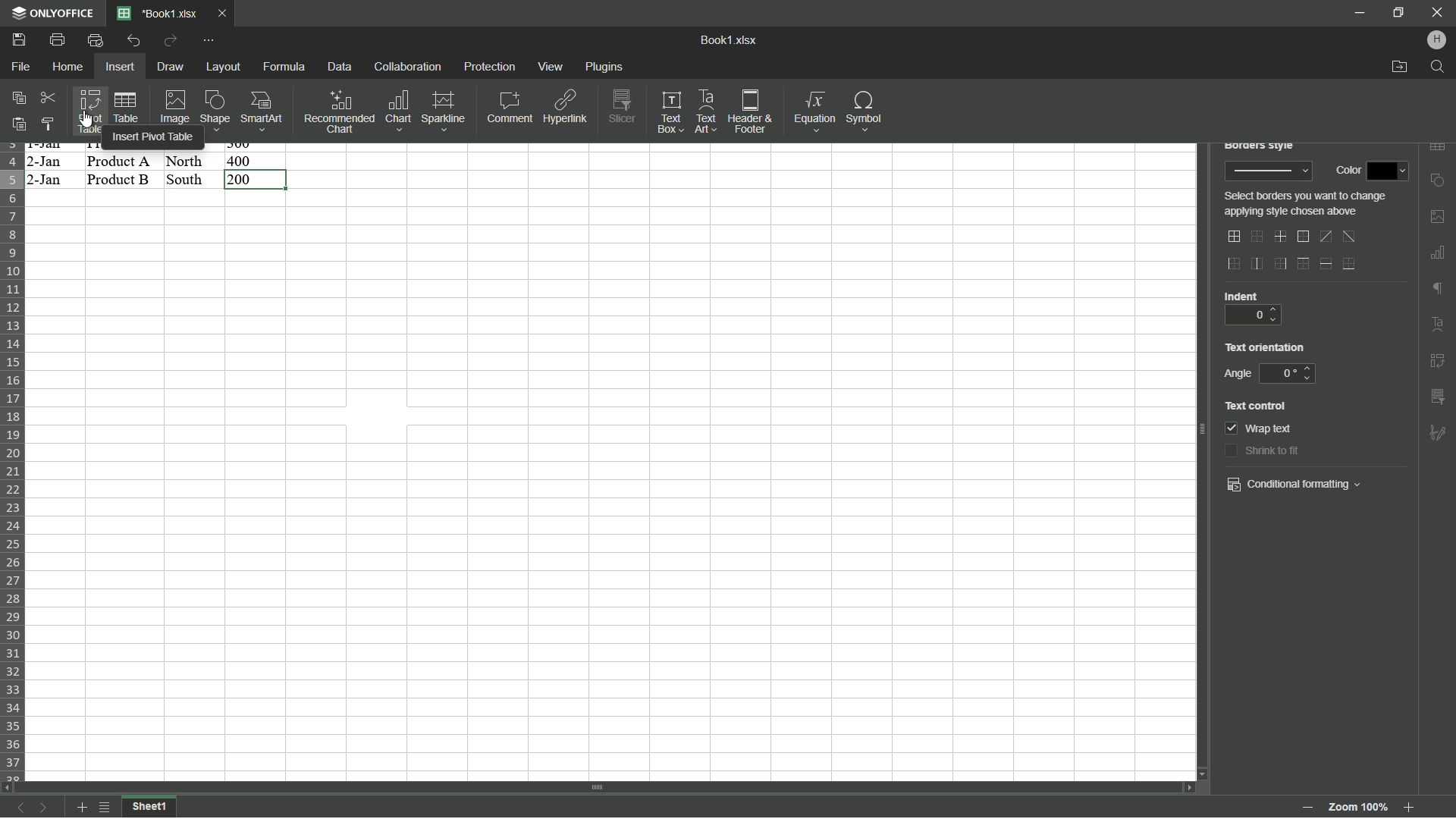 This screenshot has width=1456, height=819. I want to click on scroll down, so click(1200, 774).